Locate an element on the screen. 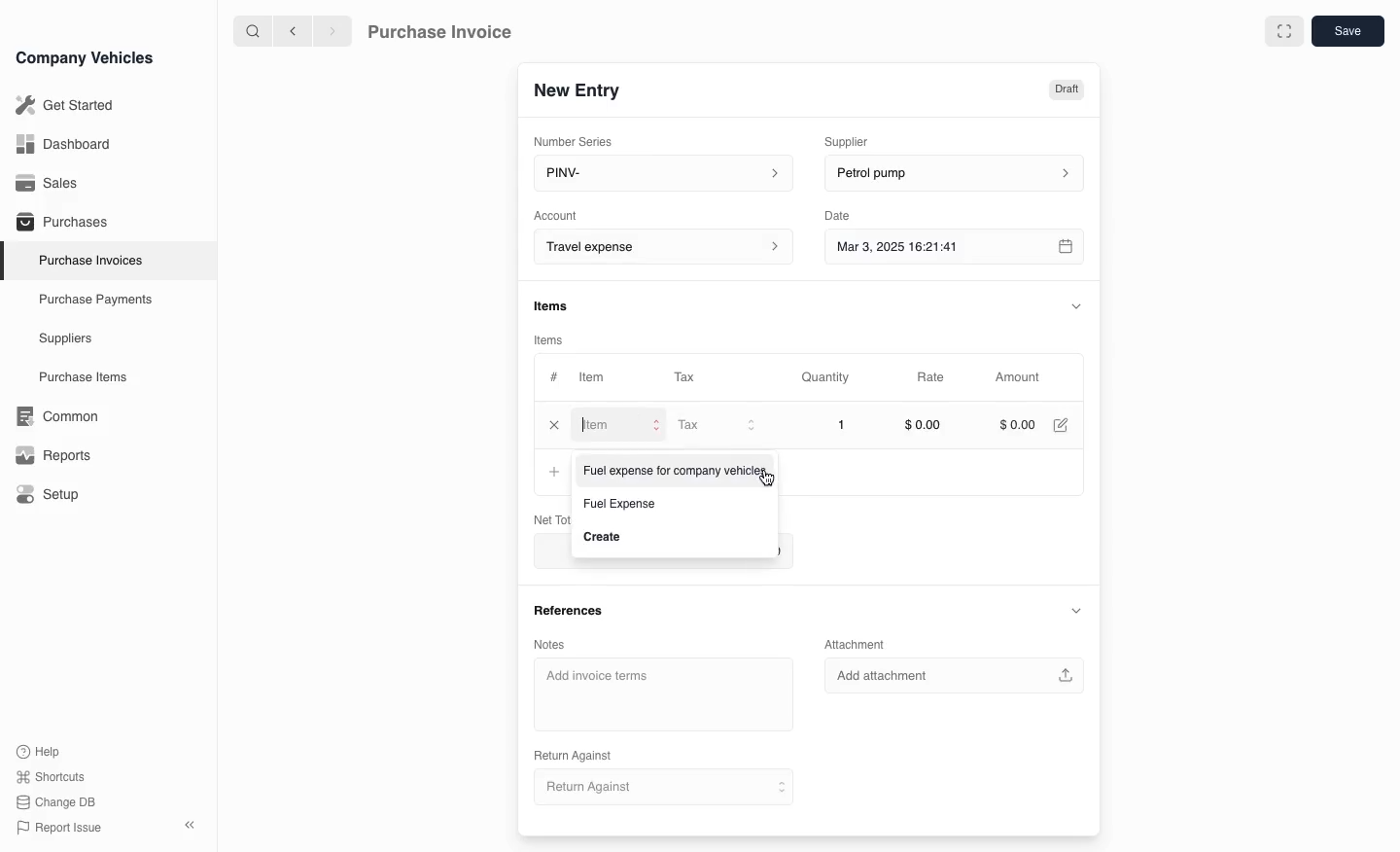 The height and width of the screenshot is (852, 1400). Sales is located at coordinates (48, 183).